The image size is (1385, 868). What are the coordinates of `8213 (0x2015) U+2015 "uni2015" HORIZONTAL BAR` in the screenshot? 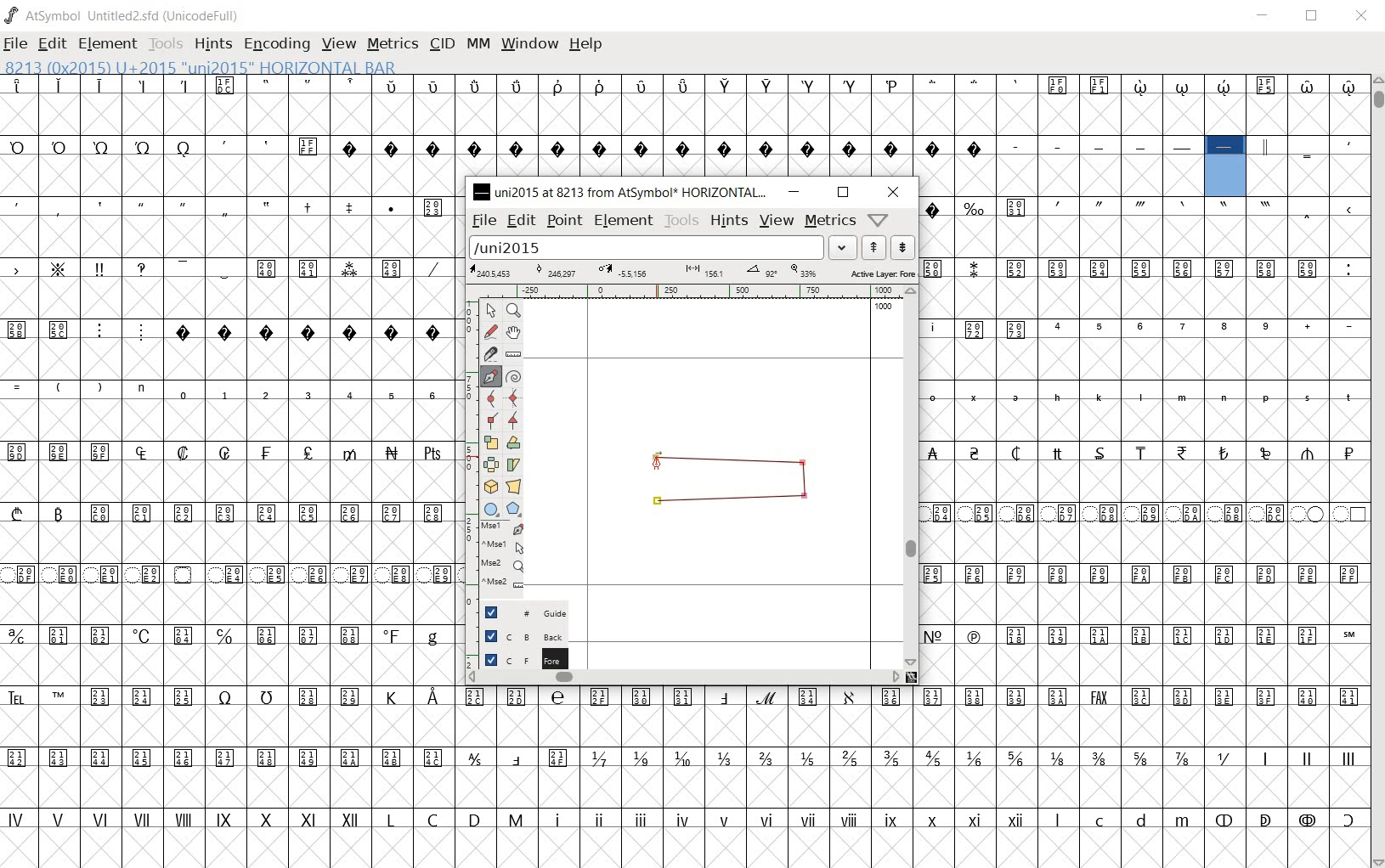 It's located at (1226, 167).